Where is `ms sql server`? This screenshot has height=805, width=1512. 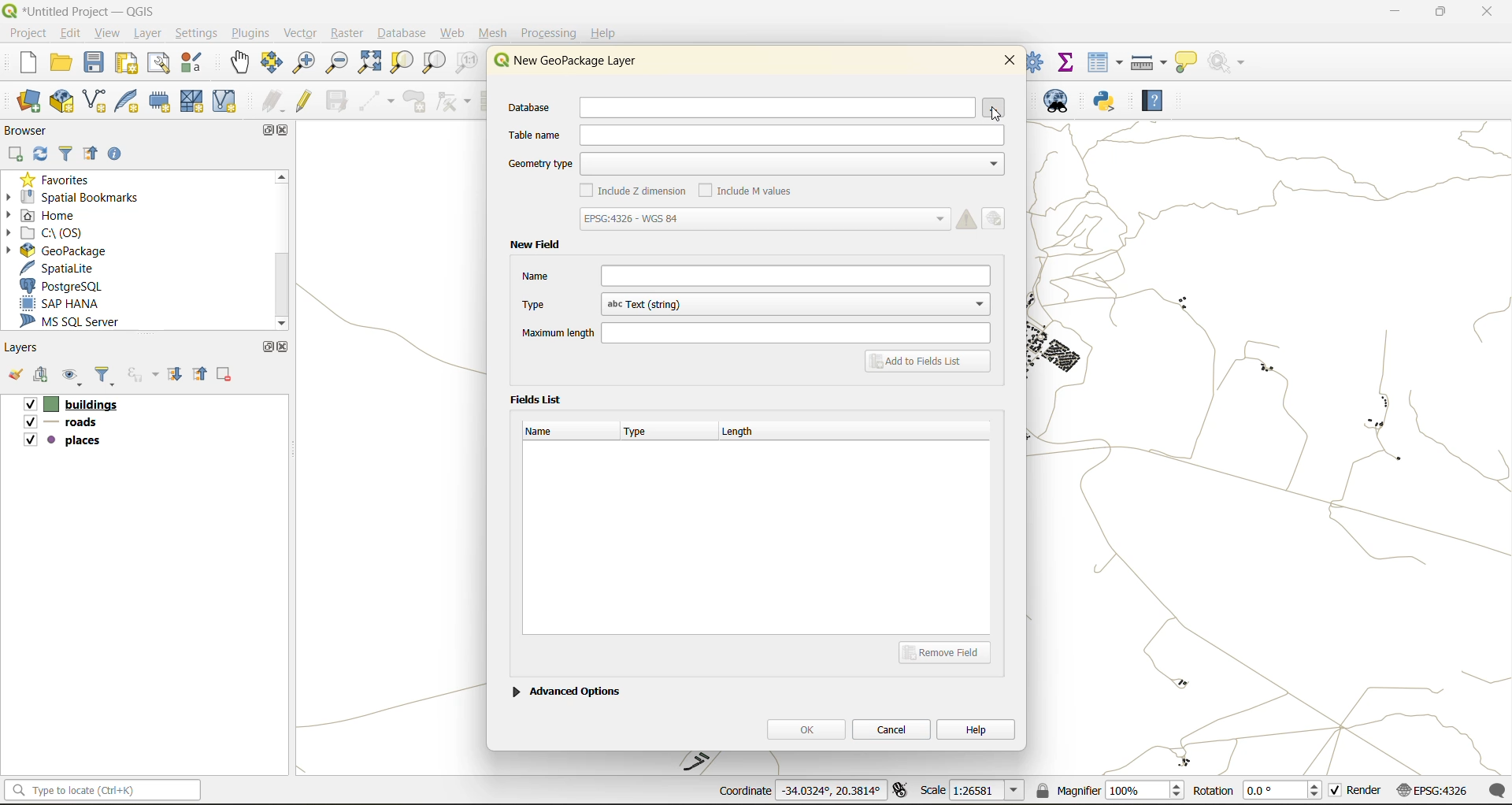
ms sql server is located at coordinates (80, 324).